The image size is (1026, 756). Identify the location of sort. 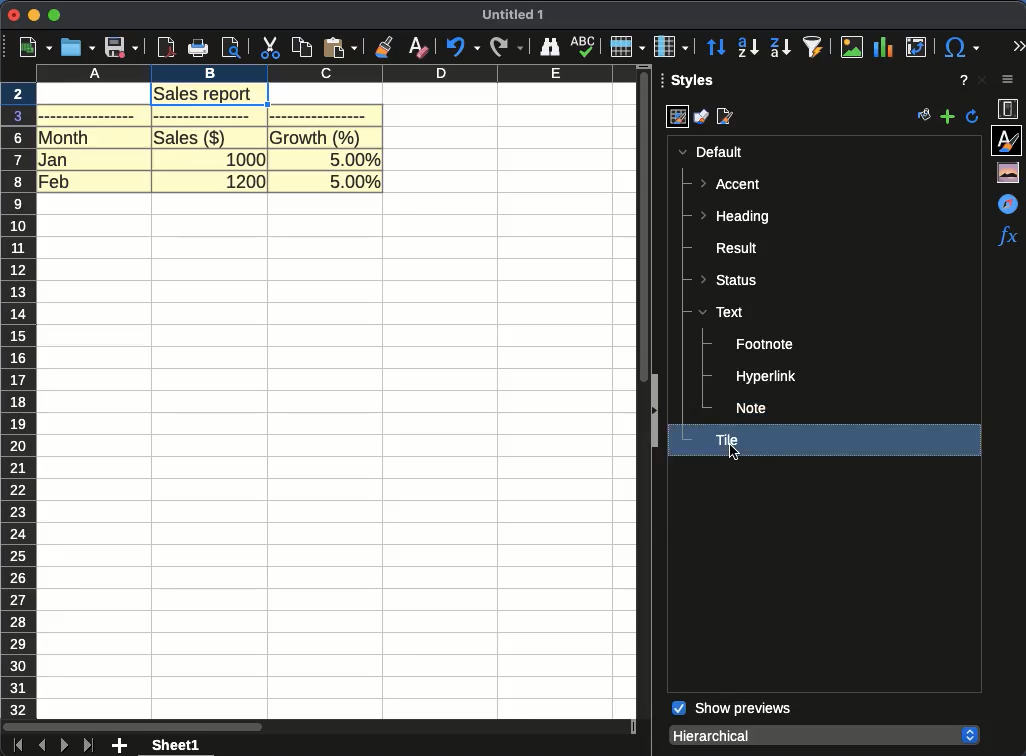
(717, 48).